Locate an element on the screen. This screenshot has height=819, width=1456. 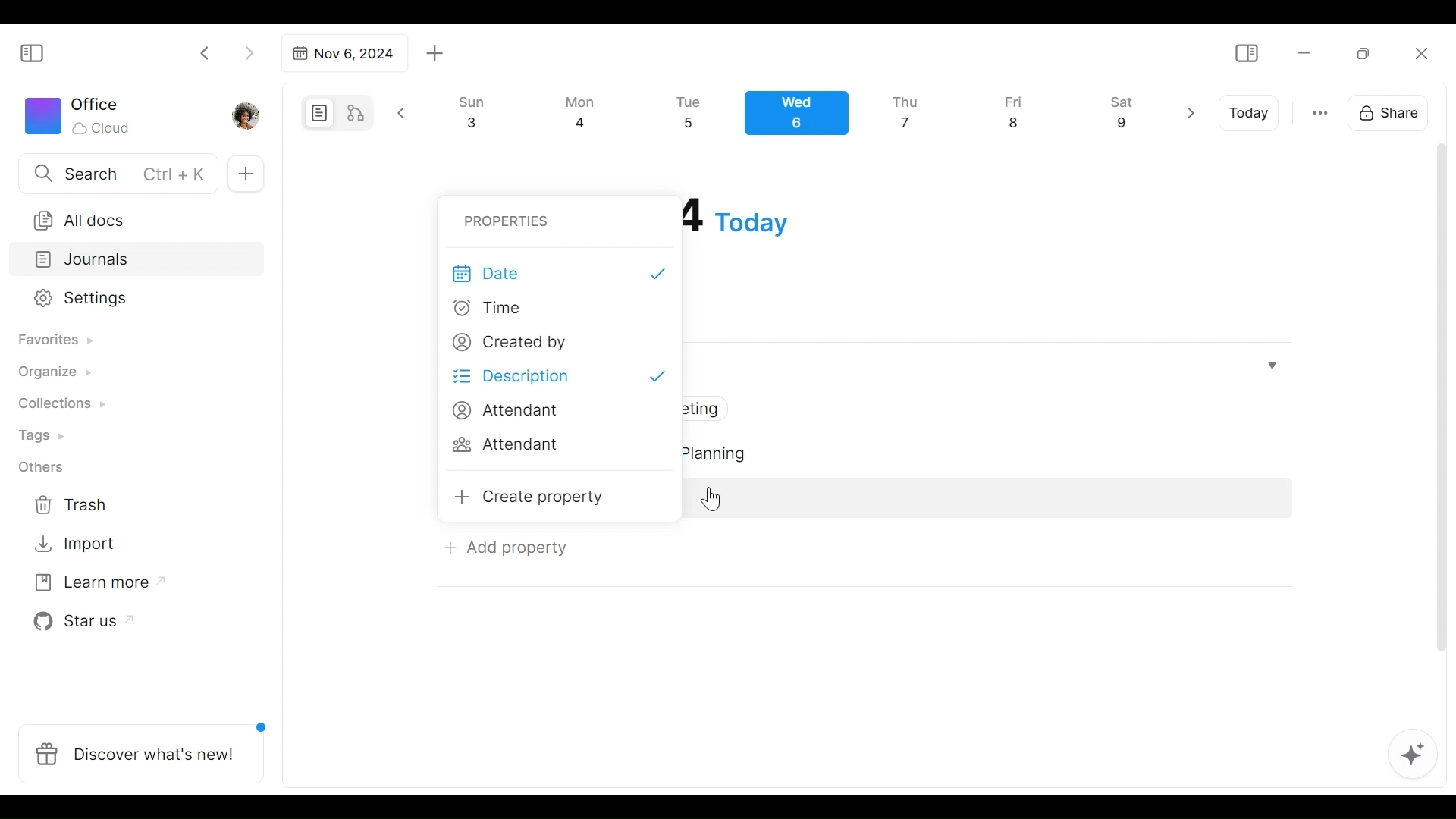
Settings is located at coordinates (125, 299).